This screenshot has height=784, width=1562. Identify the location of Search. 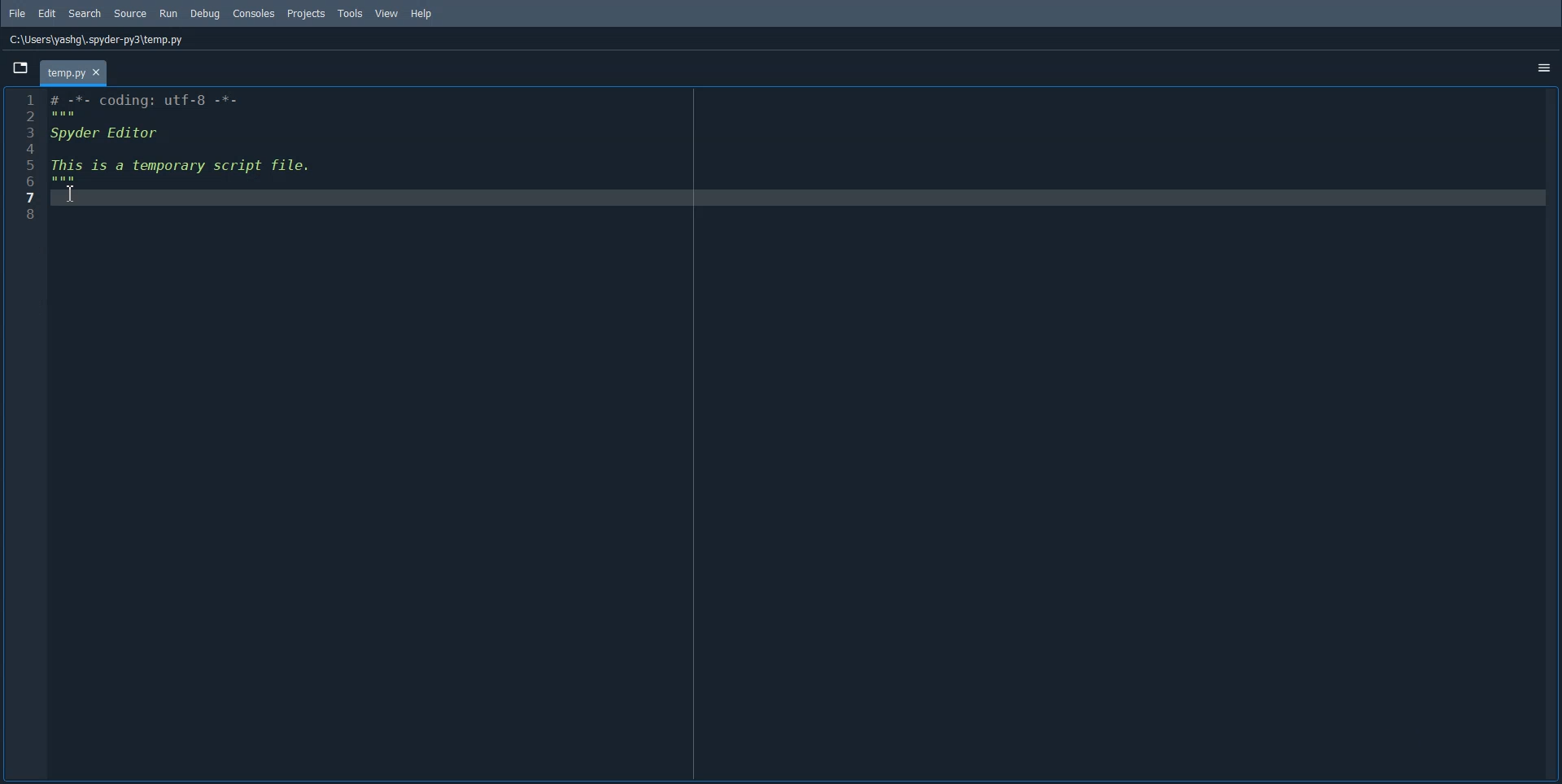
(86, 14).